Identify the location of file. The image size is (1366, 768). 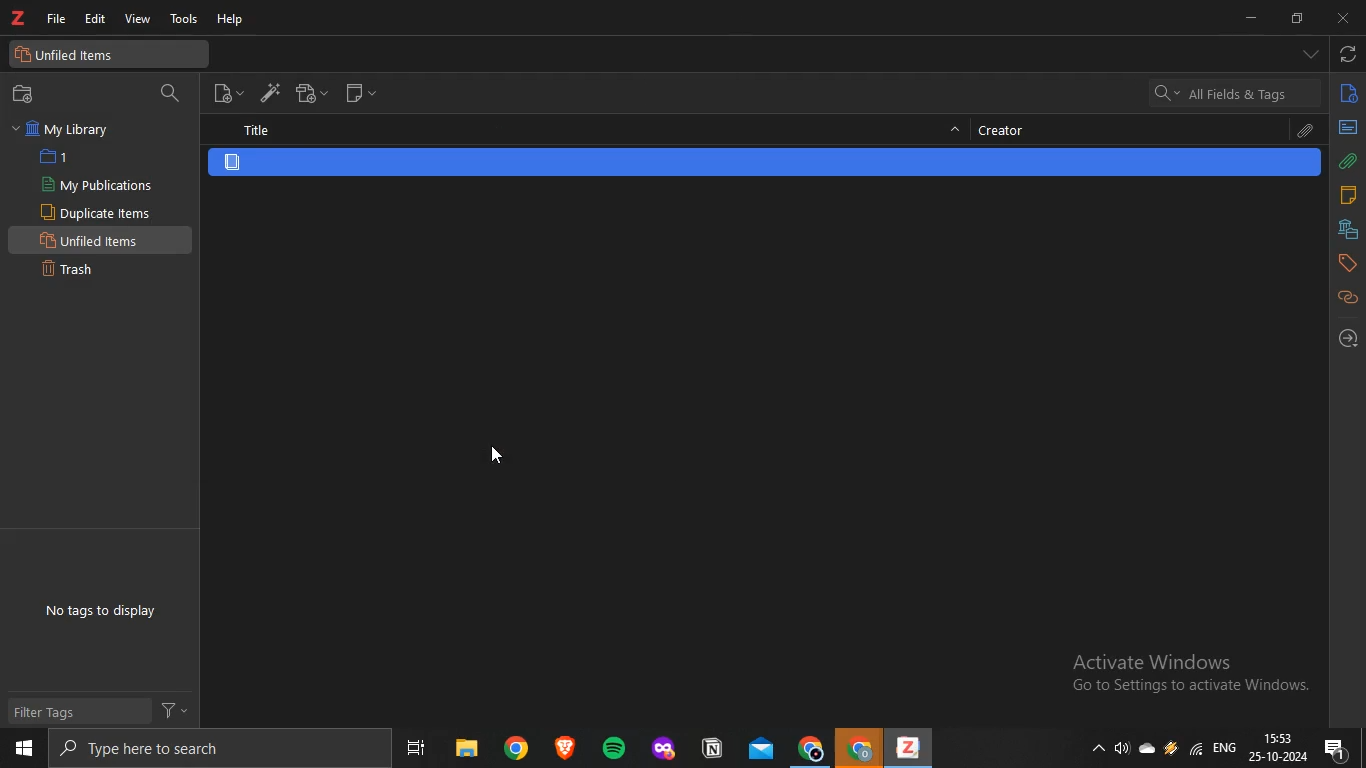
(59, 18).